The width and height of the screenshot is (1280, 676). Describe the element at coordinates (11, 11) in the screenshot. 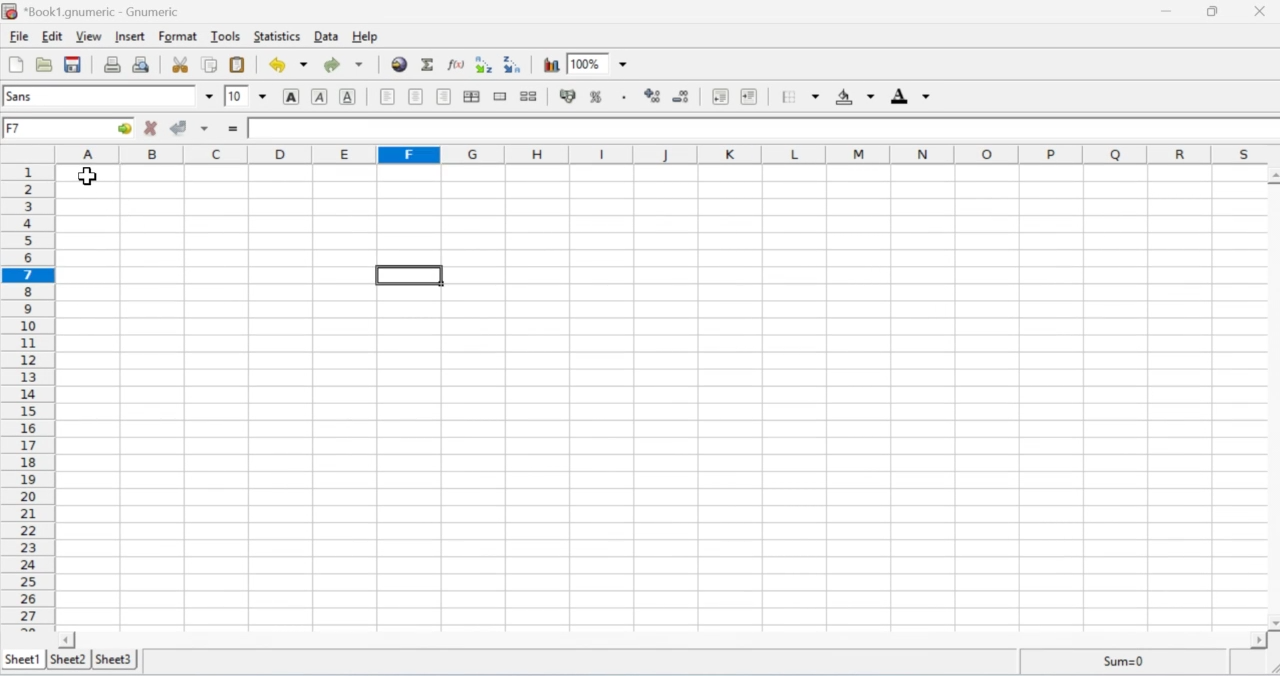

I see `Gnumeric Logo` at that location.